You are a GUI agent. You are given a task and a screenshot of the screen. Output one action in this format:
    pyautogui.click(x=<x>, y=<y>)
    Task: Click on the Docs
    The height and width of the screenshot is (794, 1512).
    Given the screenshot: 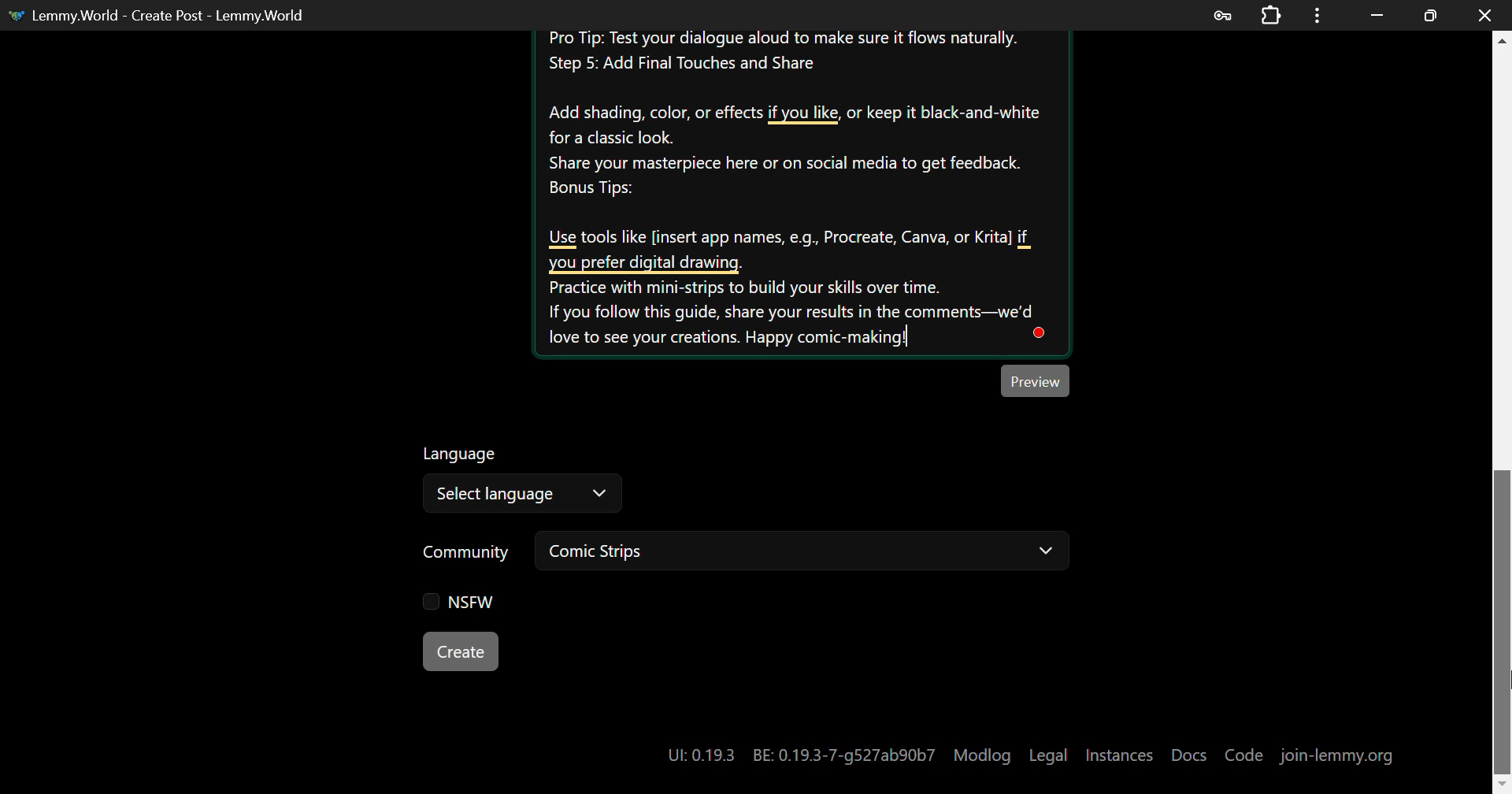 What is the action you would take?
    pyautogui.click(x=1189, y=755)
    